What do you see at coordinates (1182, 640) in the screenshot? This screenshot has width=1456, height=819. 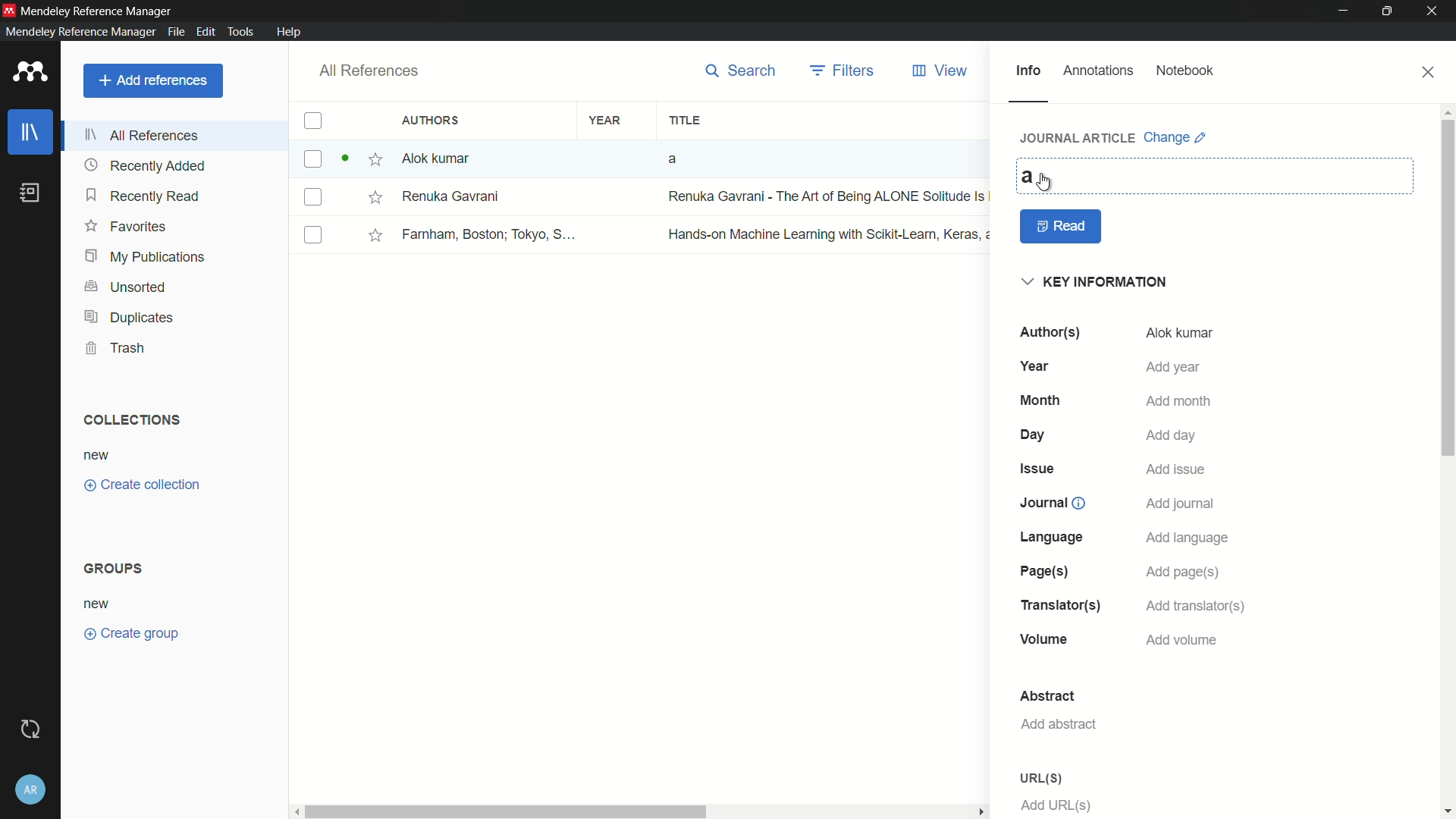 I see `add volume` at bounding box center [1182, 640].